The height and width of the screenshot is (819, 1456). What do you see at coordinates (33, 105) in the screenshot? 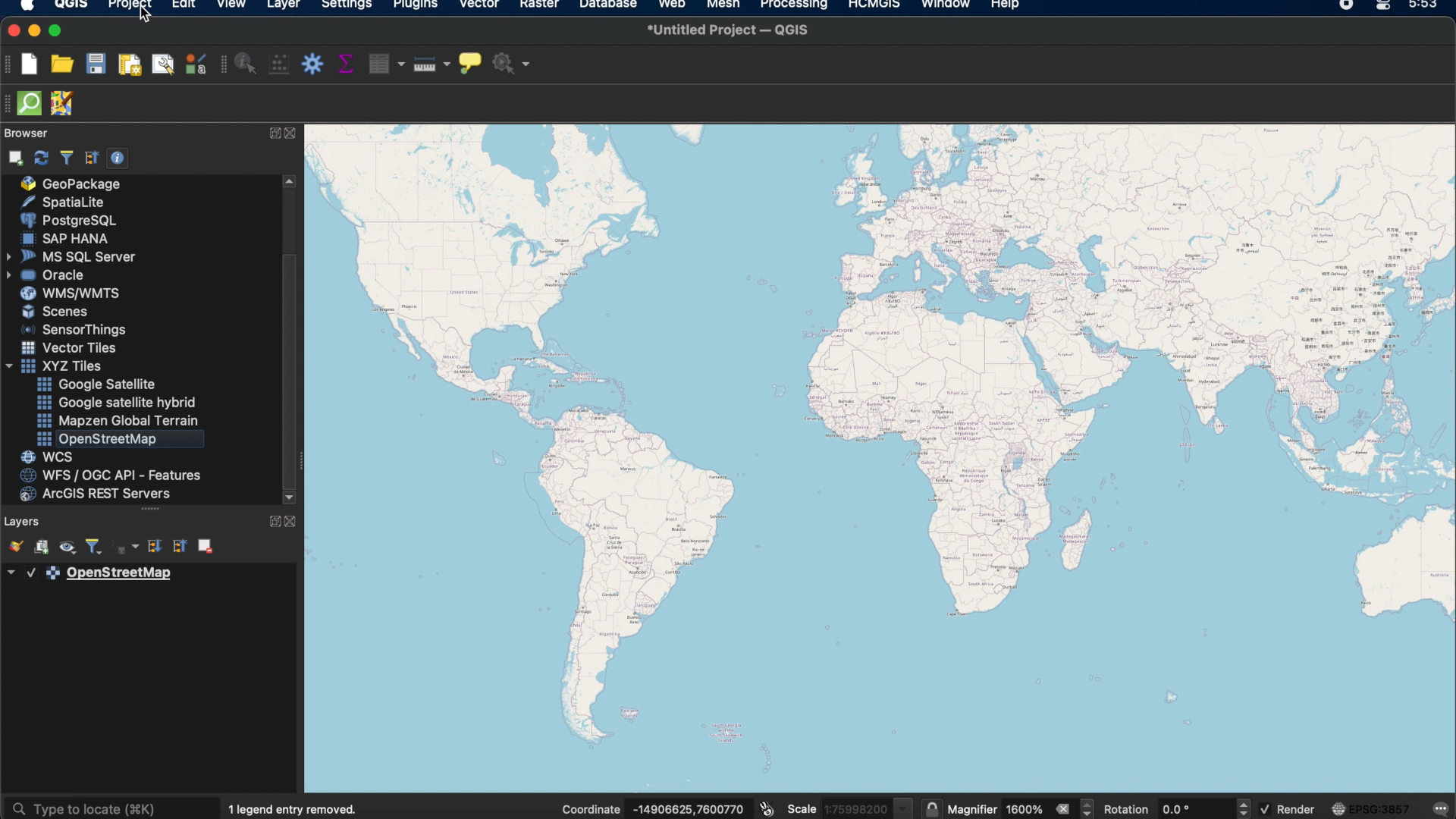
I see `QuickOSm` at bounding box center [33, 105].